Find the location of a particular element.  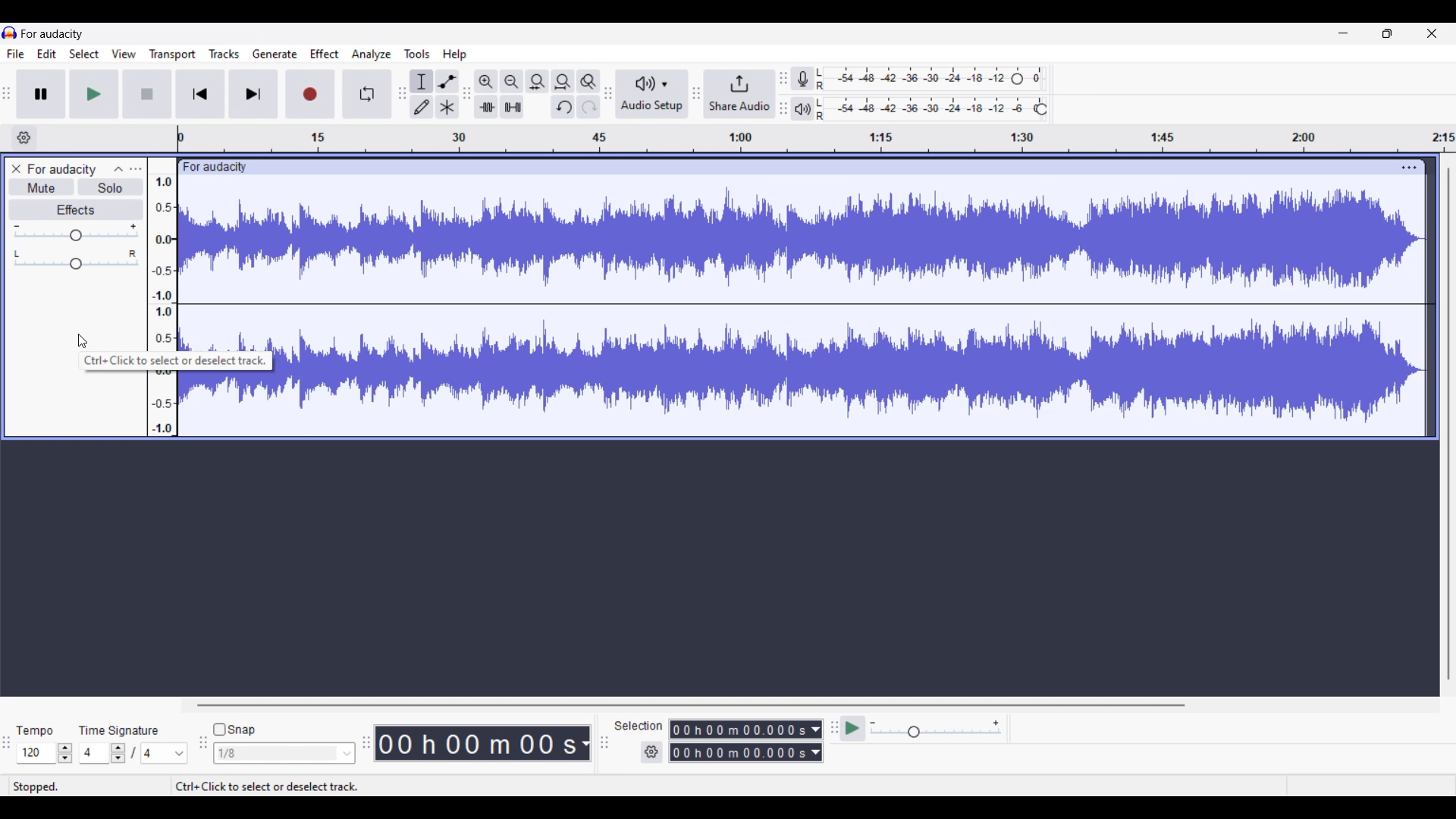

Play/Play once is located at coordinates (94, 94).